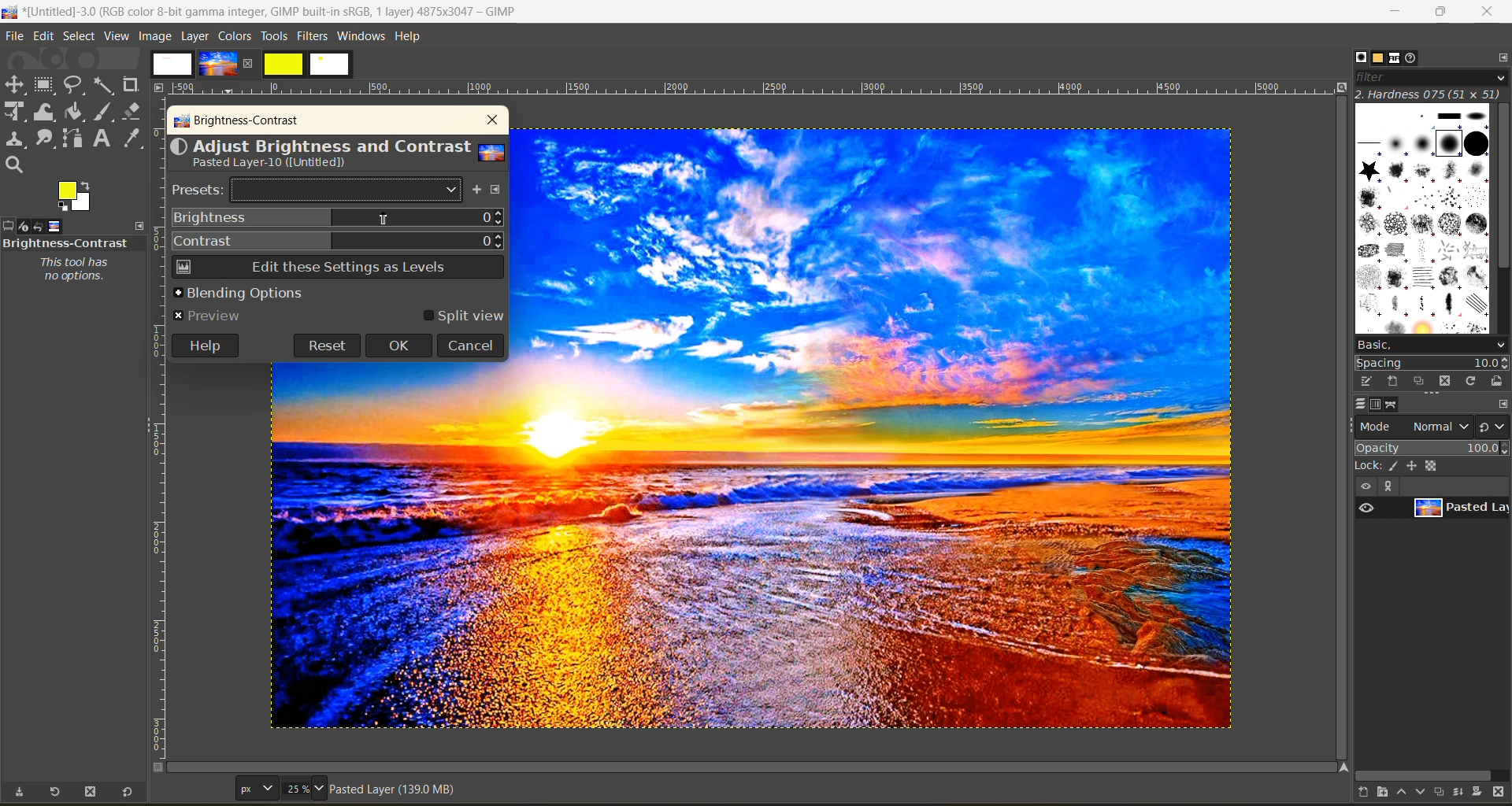 This screenshot has width=1512, height=806. What do you see at coordinates (46, 38) in the screenshot?
I see `edit` at bounding box center [46, 38].